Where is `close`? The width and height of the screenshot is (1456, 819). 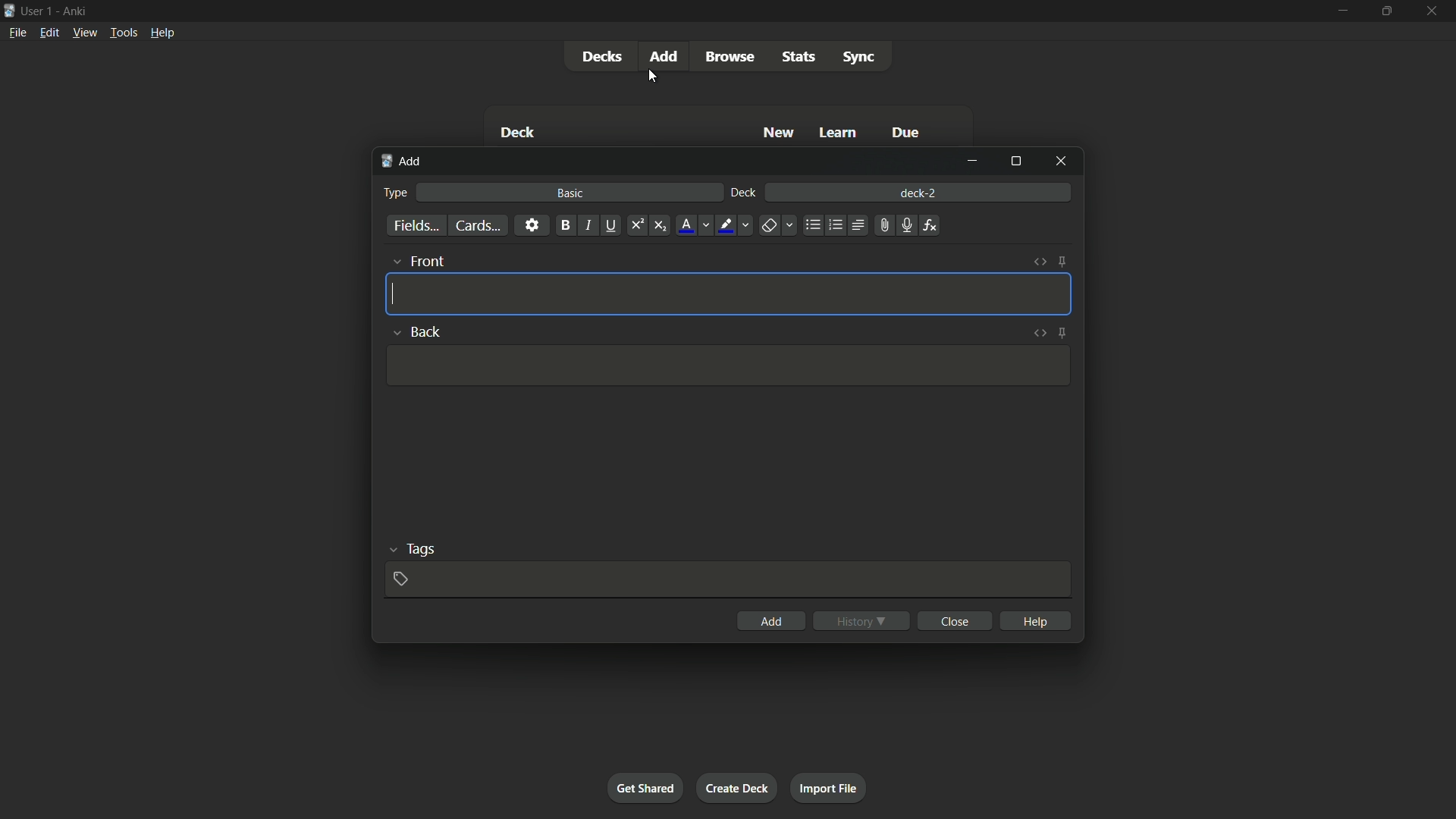
close is located at coordinates (954, 621).